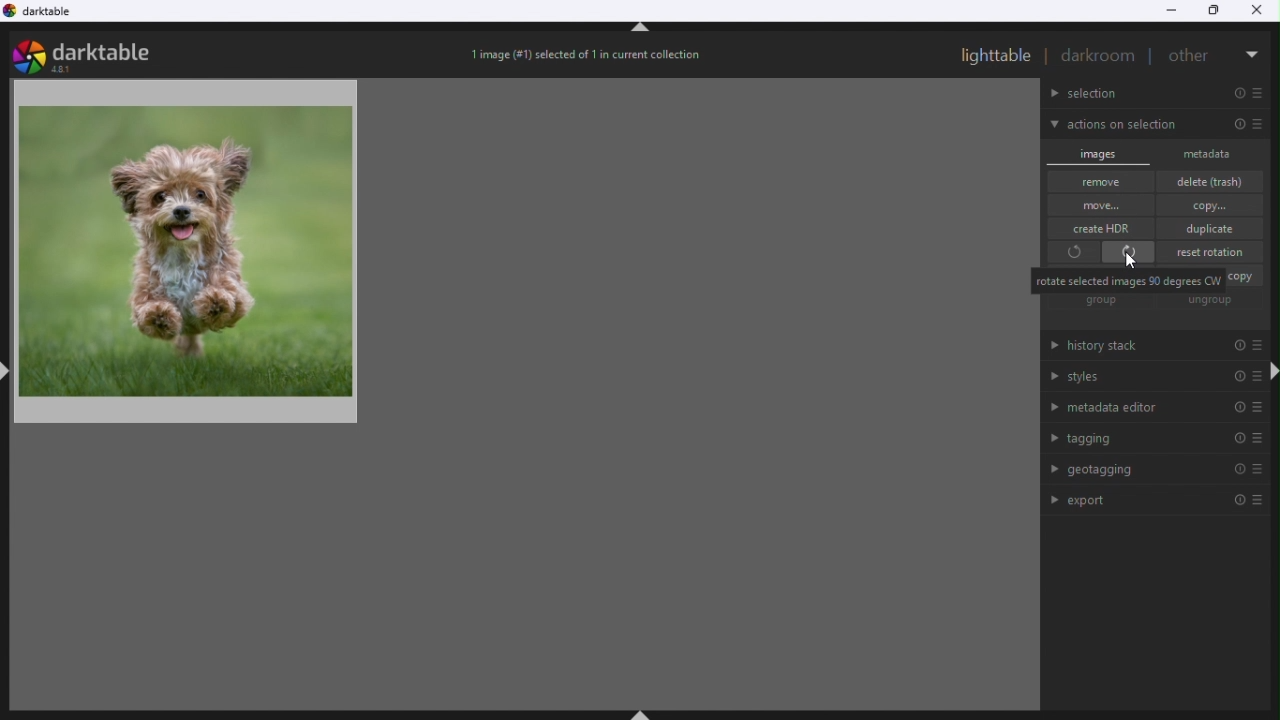 The image size is (1280, 720). I want to click on cursor, so click(1134, 265).